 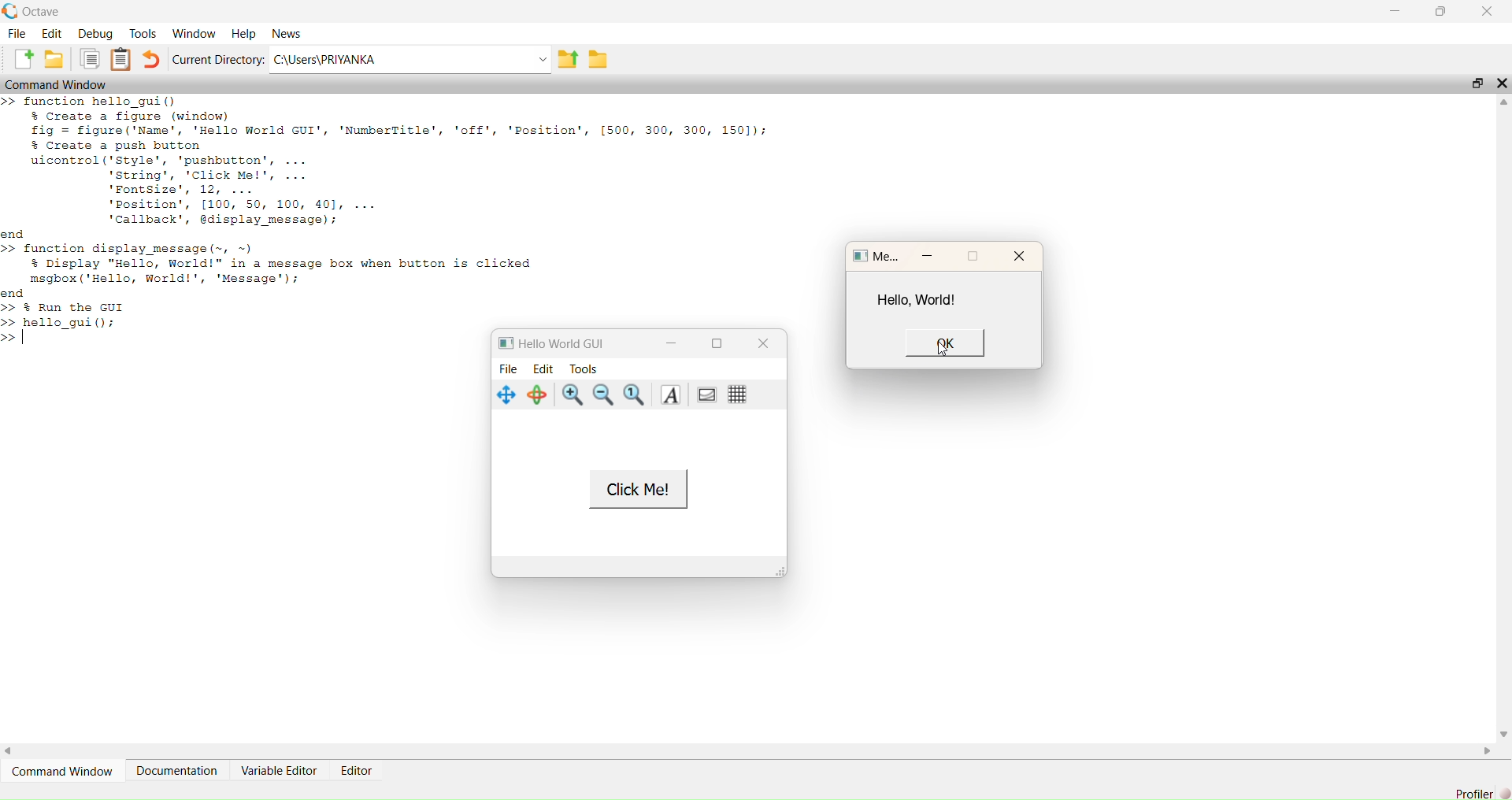 What do you see at coordinates (286, 32) in the screenshot?
I see `News` at bounding box center [286, 32].